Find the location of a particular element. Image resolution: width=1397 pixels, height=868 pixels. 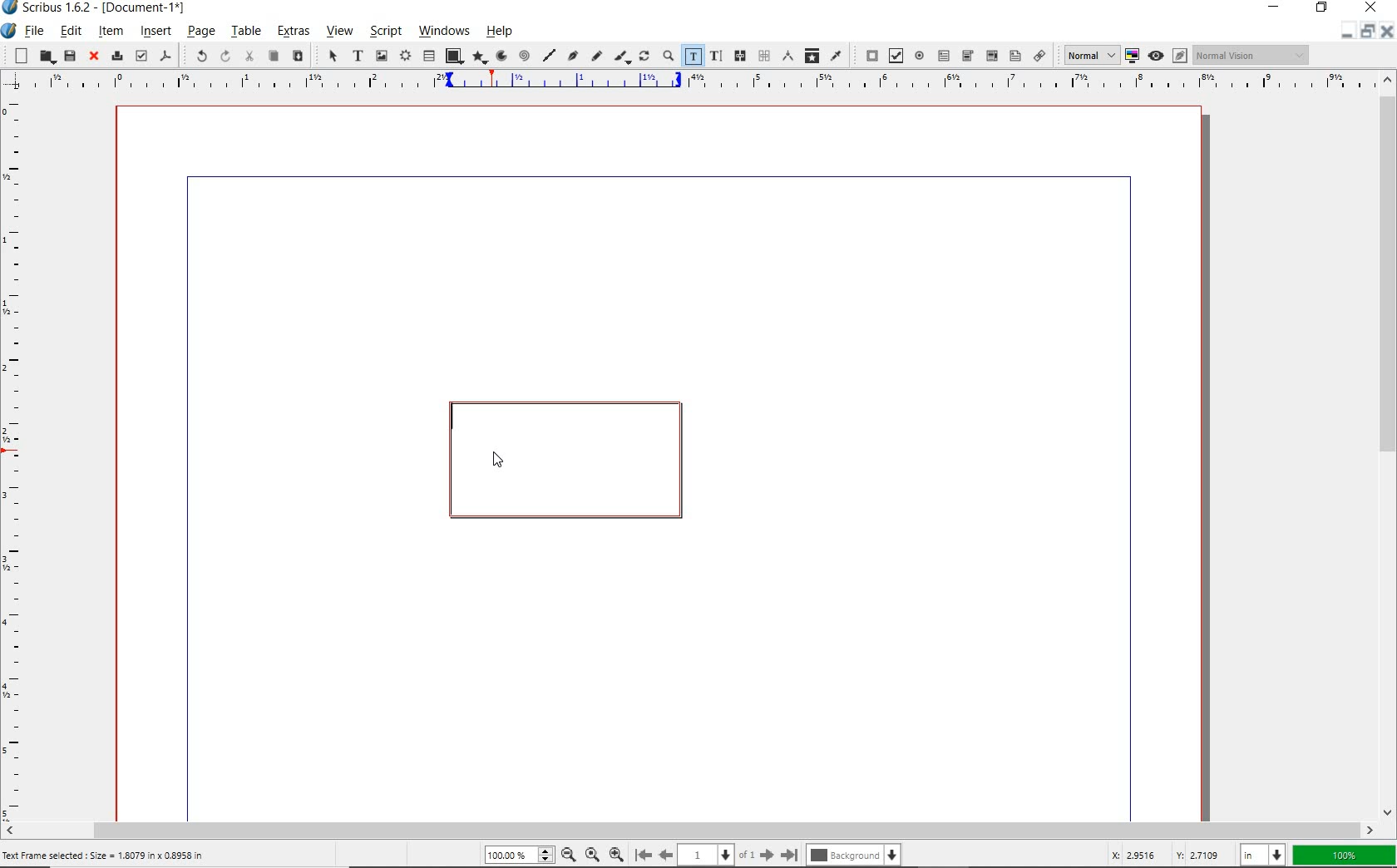

rotate item is located at coordinates (644, 57).